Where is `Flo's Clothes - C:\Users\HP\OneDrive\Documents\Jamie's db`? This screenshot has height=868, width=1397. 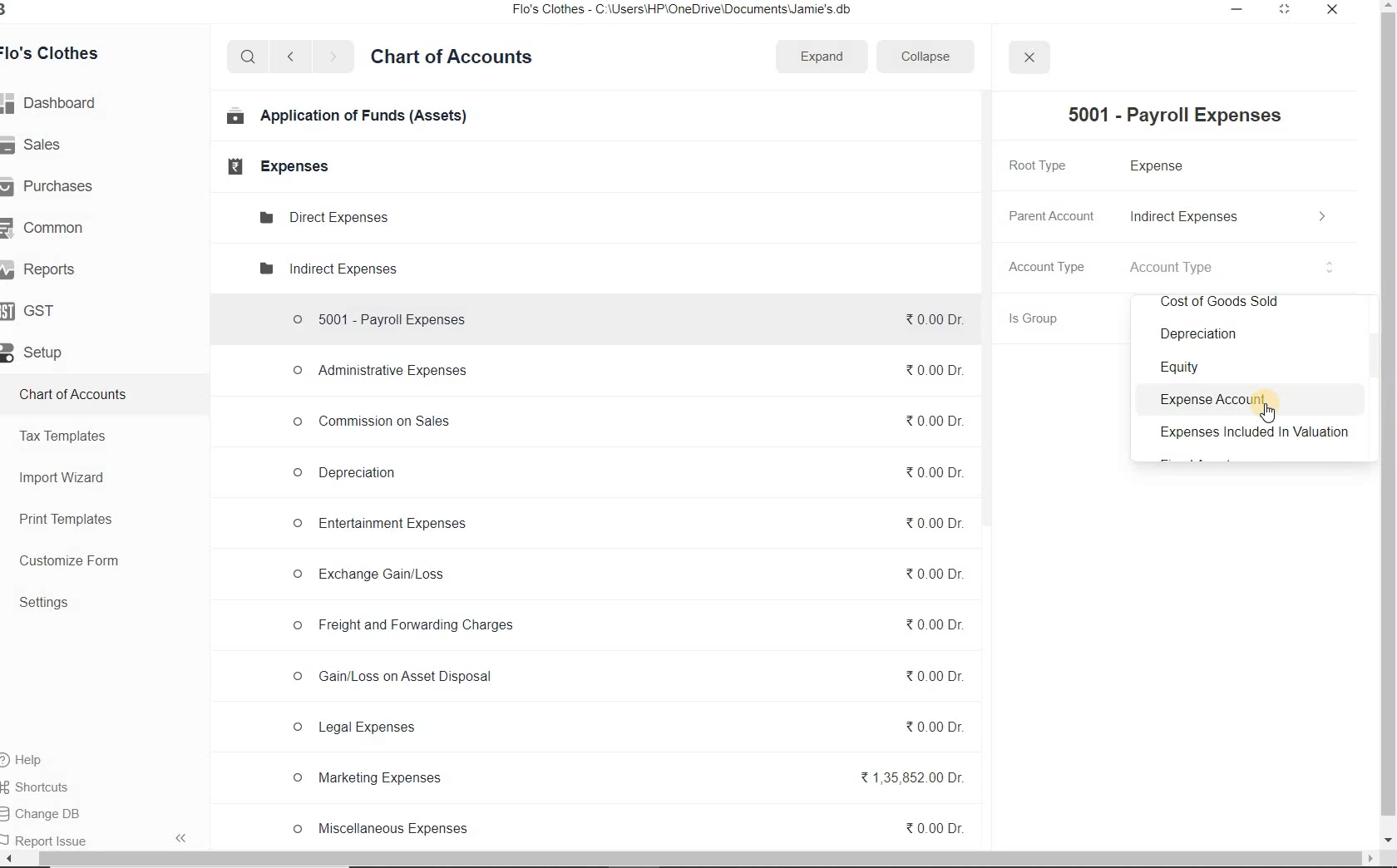
Flo's Clothes - C:\Users\HP\OneDrive\Documents\Jamie's db is located at coordinates (712, 12).